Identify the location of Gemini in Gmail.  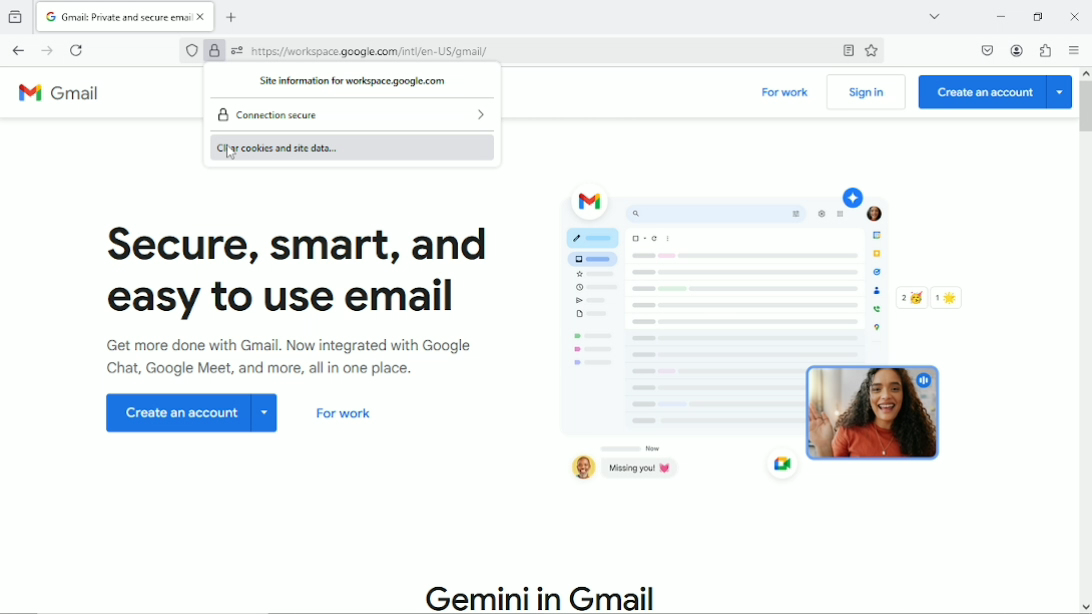
(543, 597).